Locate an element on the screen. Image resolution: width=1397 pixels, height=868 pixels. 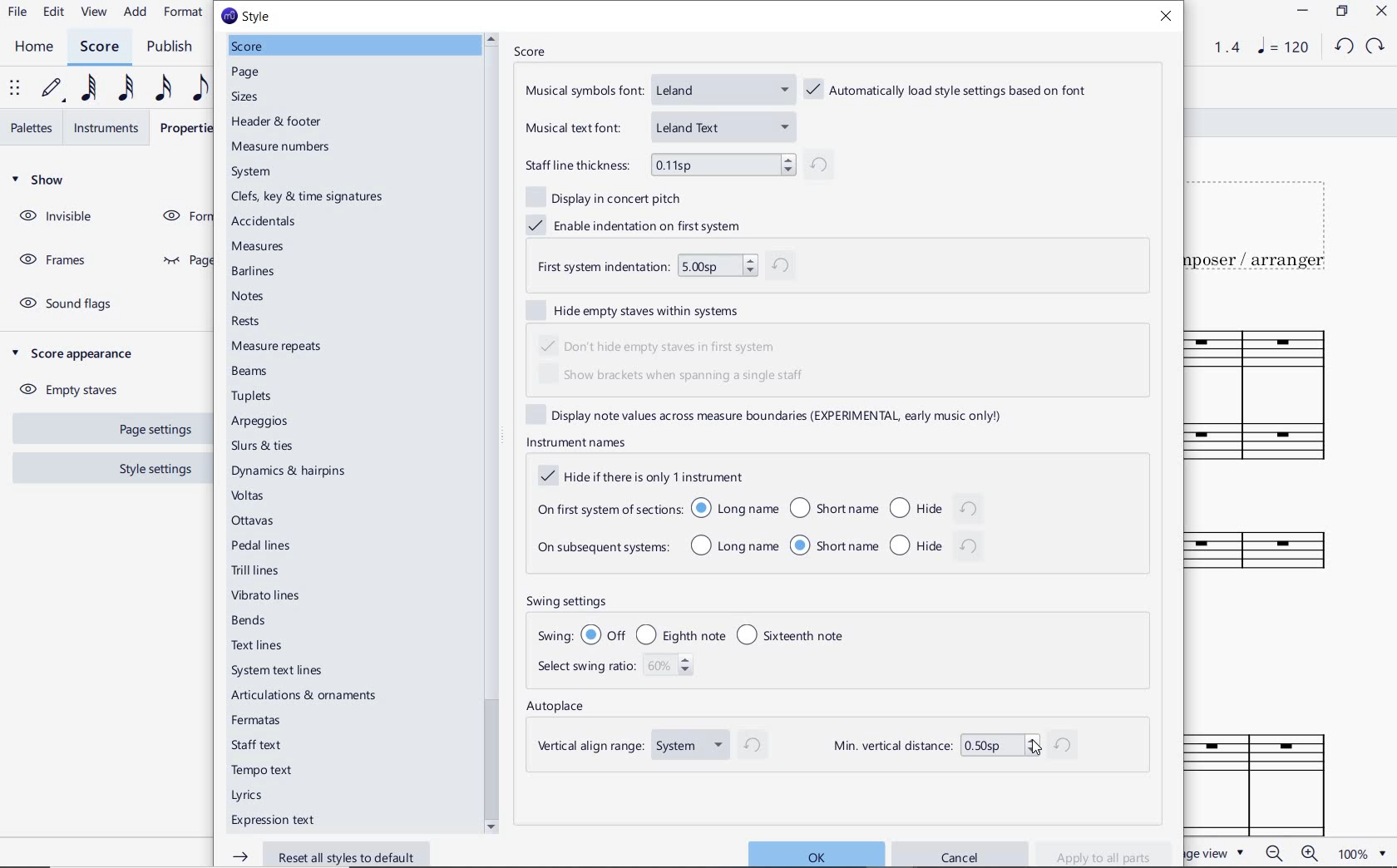
NOTE is located at coordinates (1282, 47).